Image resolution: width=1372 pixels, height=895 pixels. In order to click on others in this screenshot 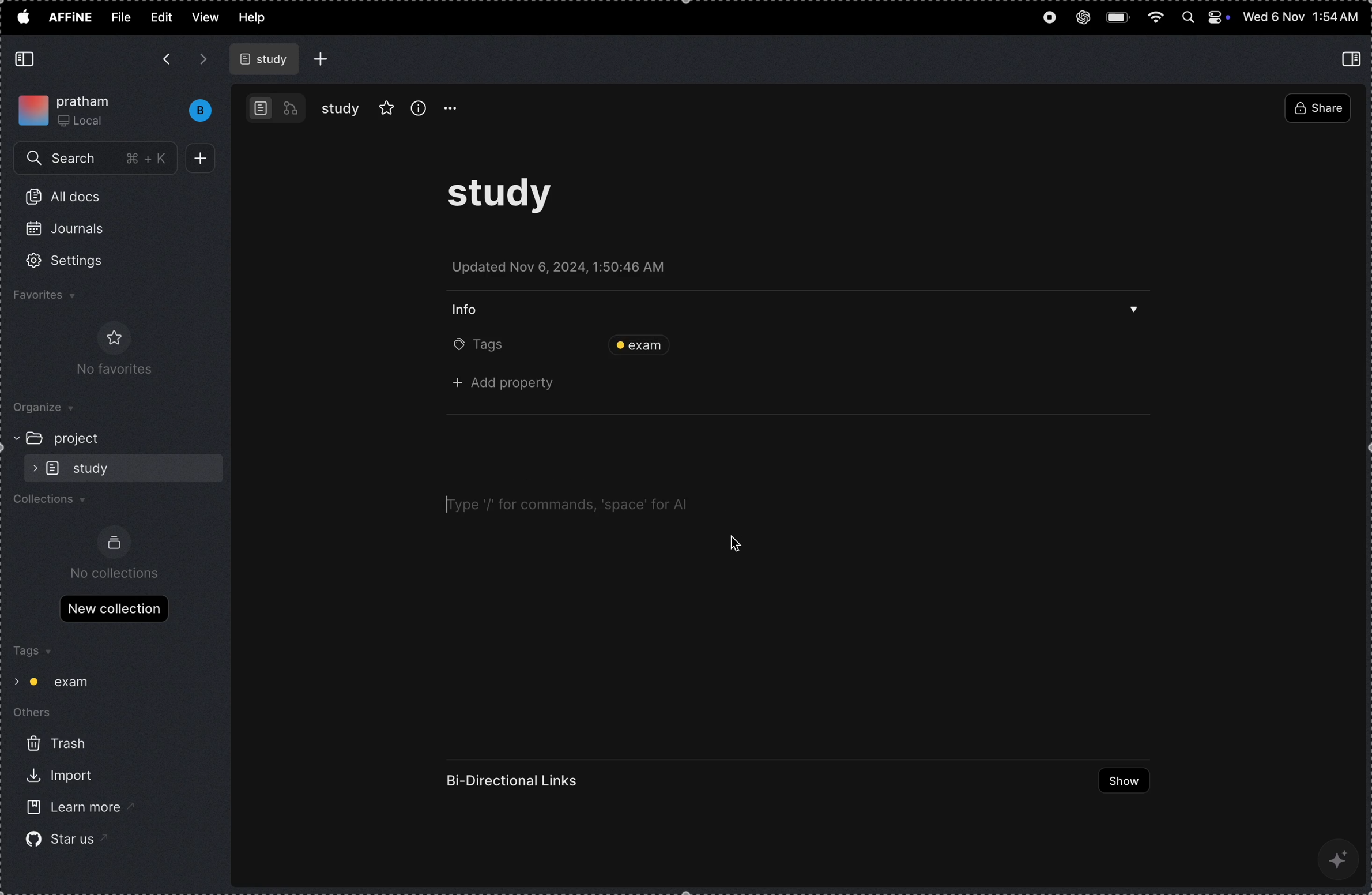, I will do `click(42, 715)`.